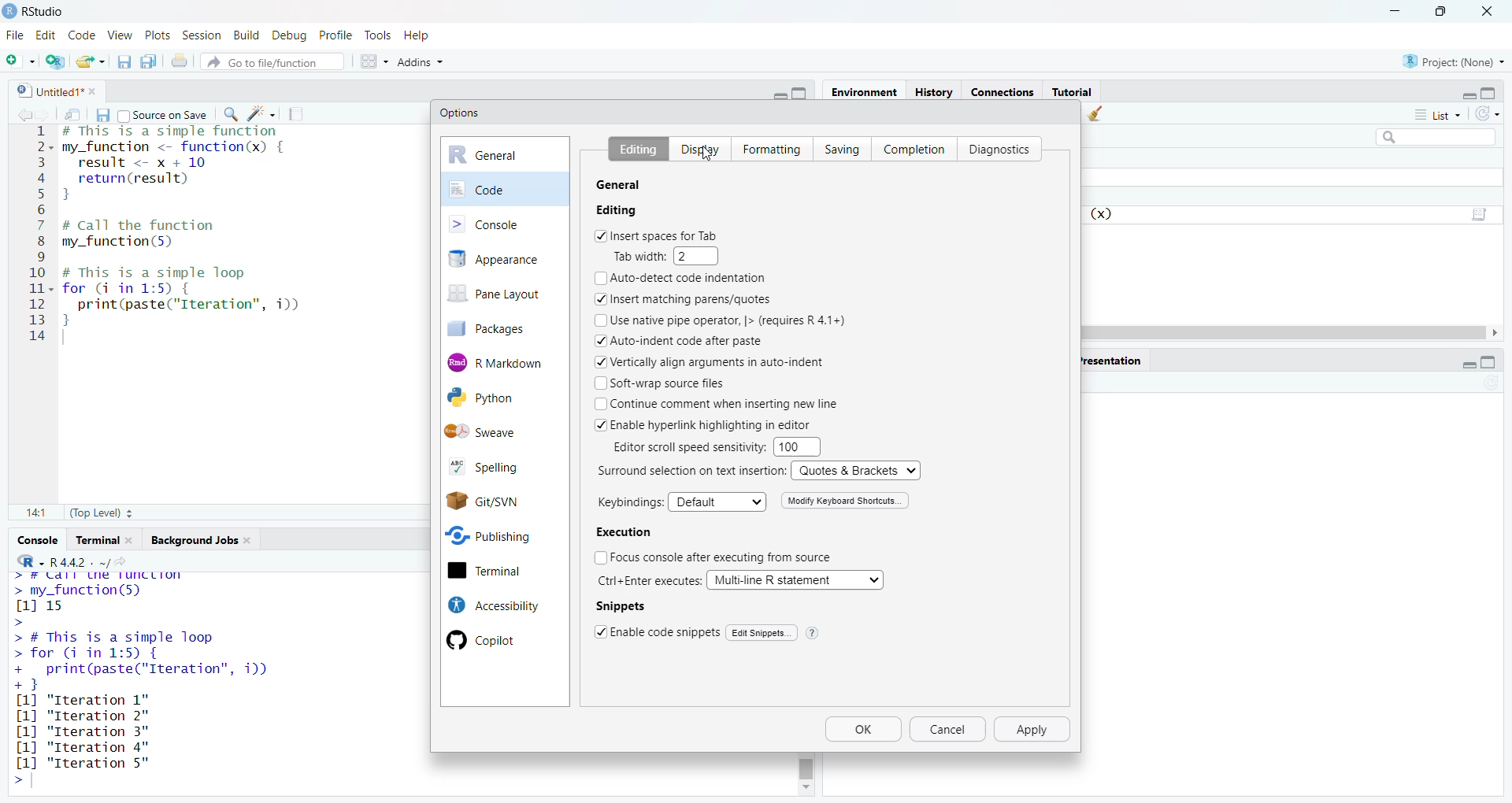  What do you see at coordinates (91, 700) in the screenshot?
I see `[1] "Iteration 1"` at bounding box center [91, 700].